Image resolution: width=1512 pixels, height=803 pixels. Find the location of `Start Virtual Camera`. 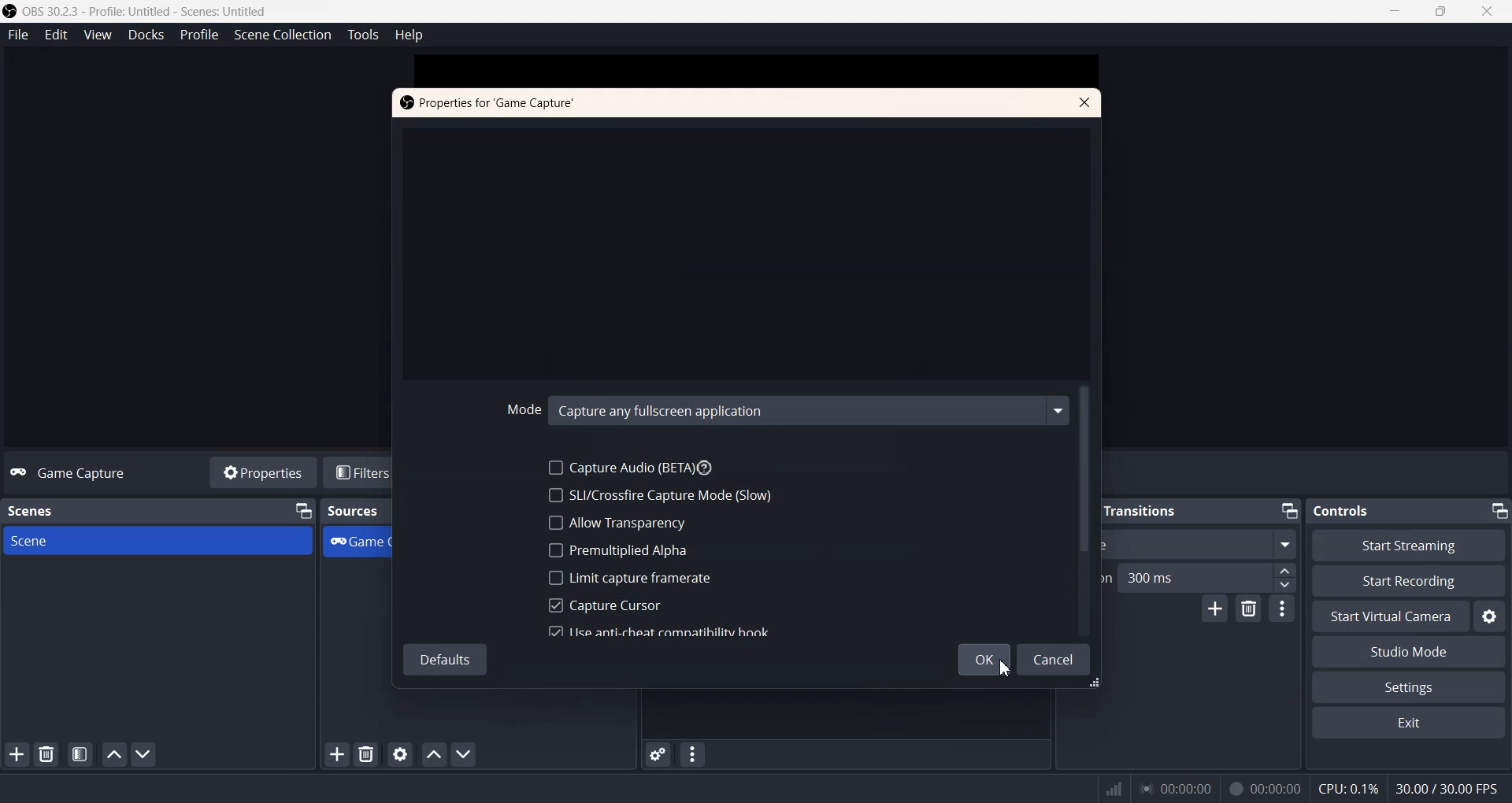

Start Virtual Camera is located at coordinates (1390, 616).